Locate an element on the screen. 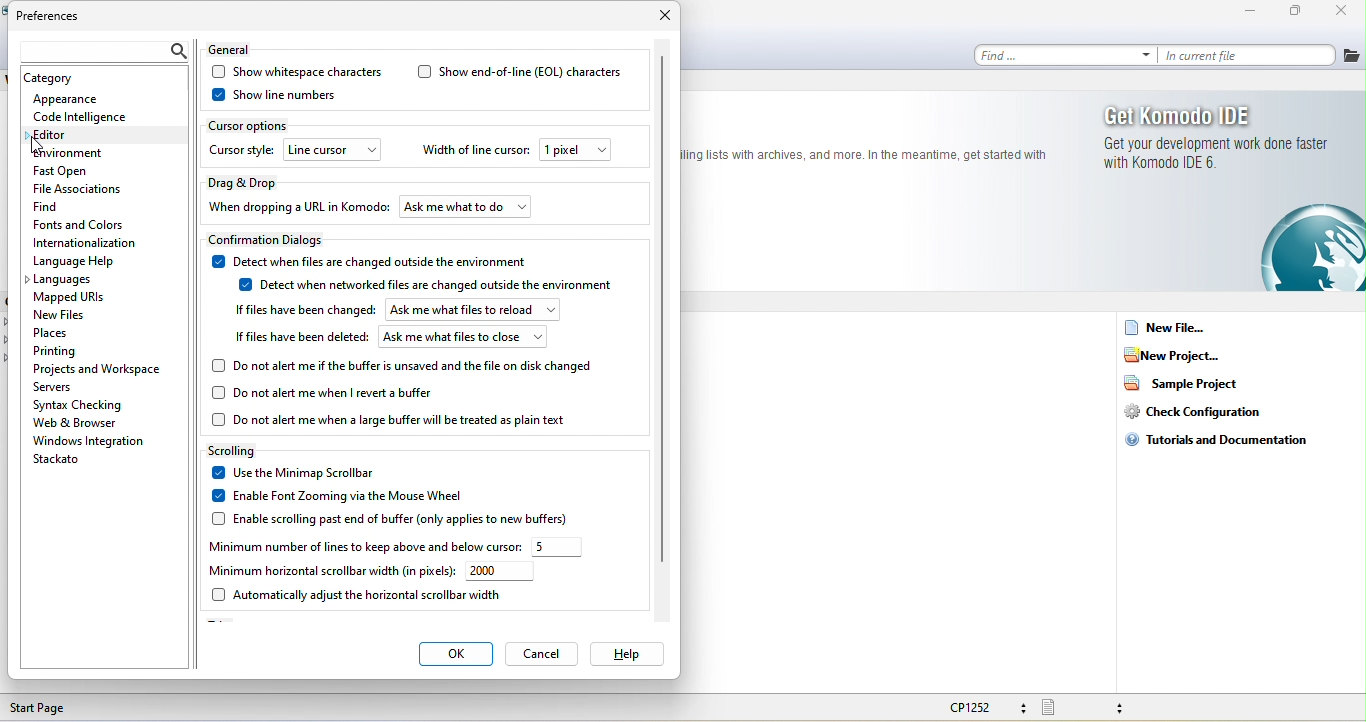  find is located at coordinates (1065, 54).